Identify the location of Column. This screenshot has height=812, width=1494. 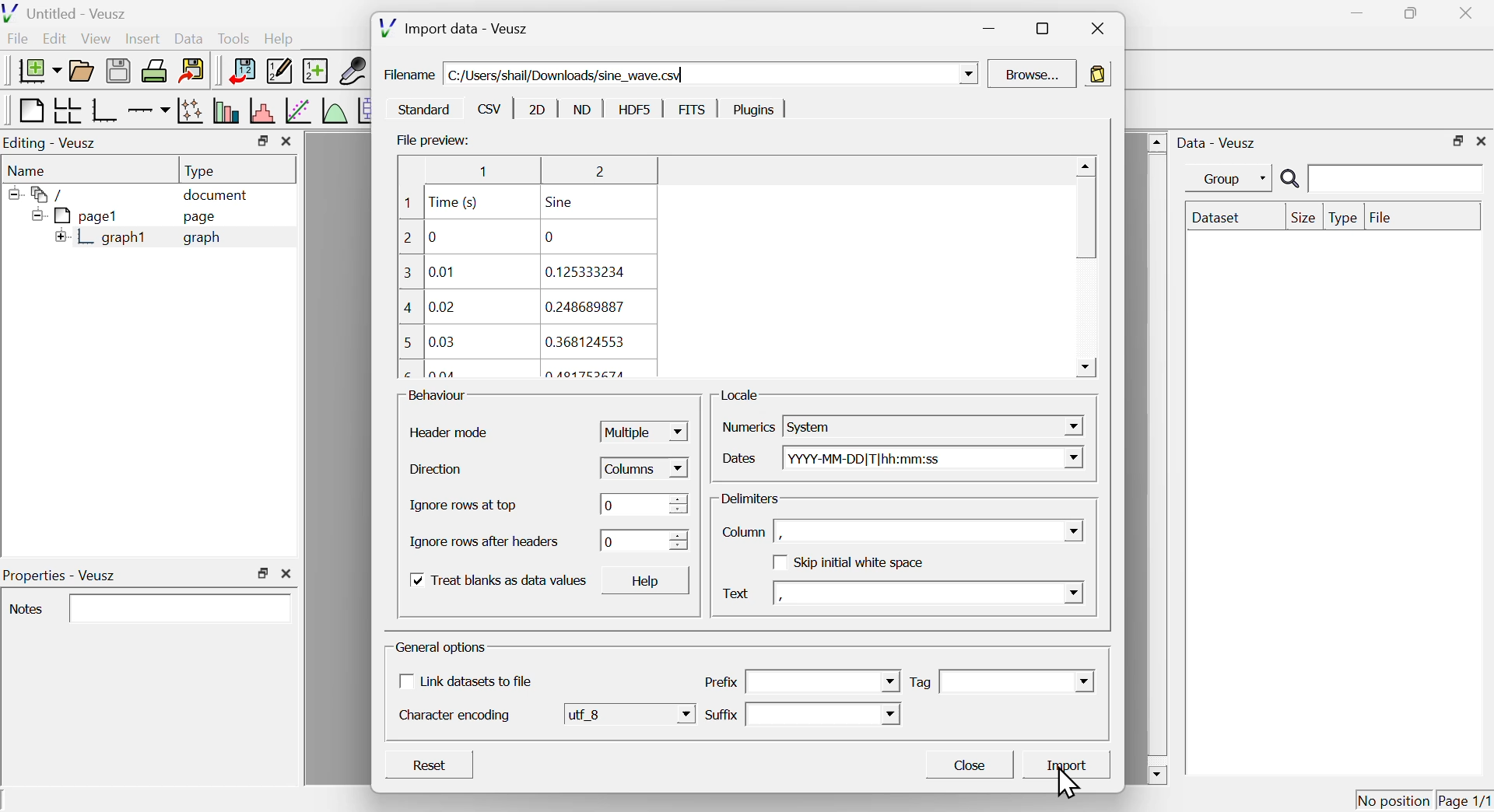
(744, 532).